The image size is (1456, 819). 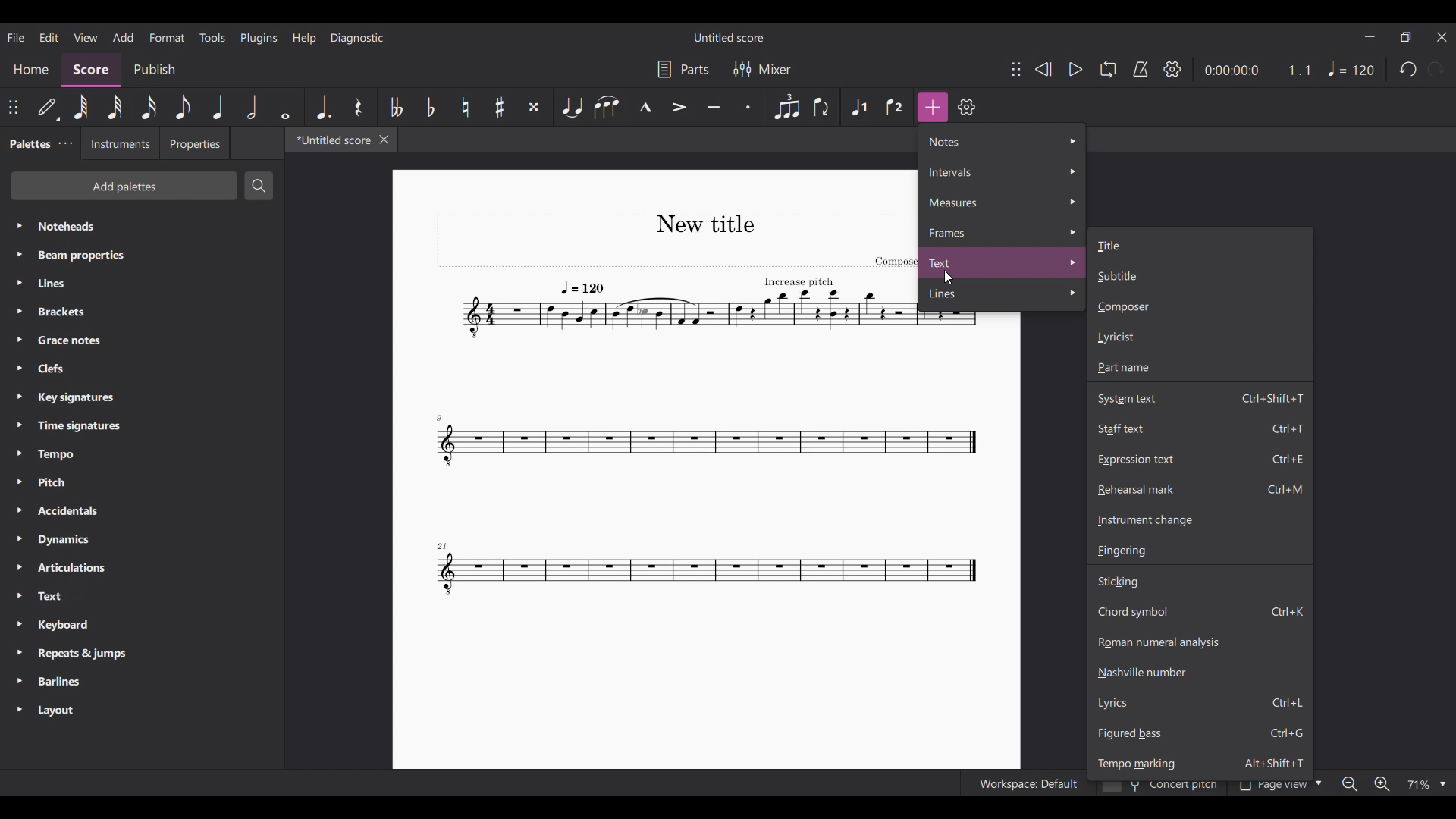 What do you see at coordinates (359, 107) in the screenshot?
I see `Rest` at bounding box center [359, 107].